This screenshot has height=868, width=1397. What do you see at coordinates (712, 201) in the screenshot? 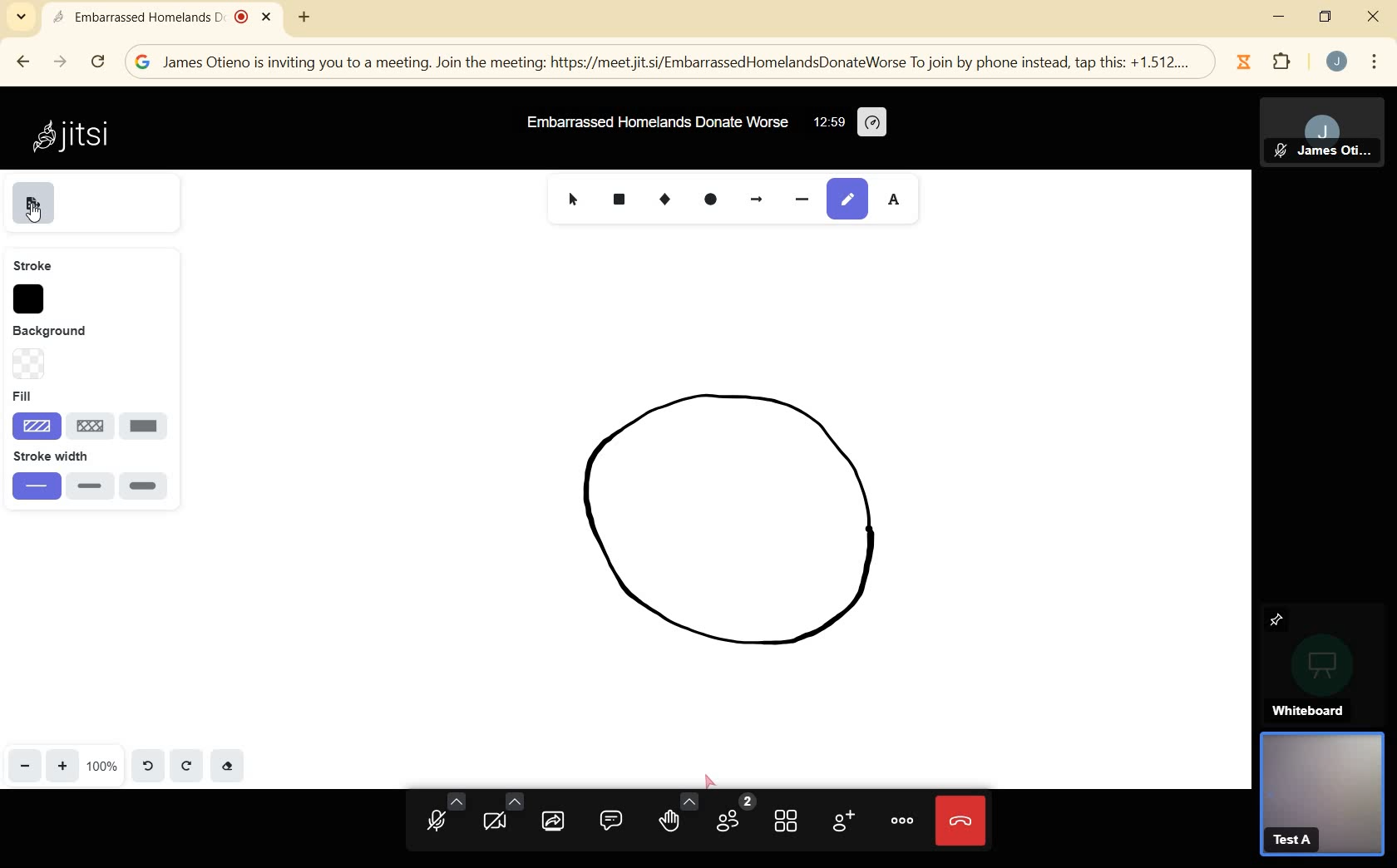
I see `circle` at bounding box center [712, 201].